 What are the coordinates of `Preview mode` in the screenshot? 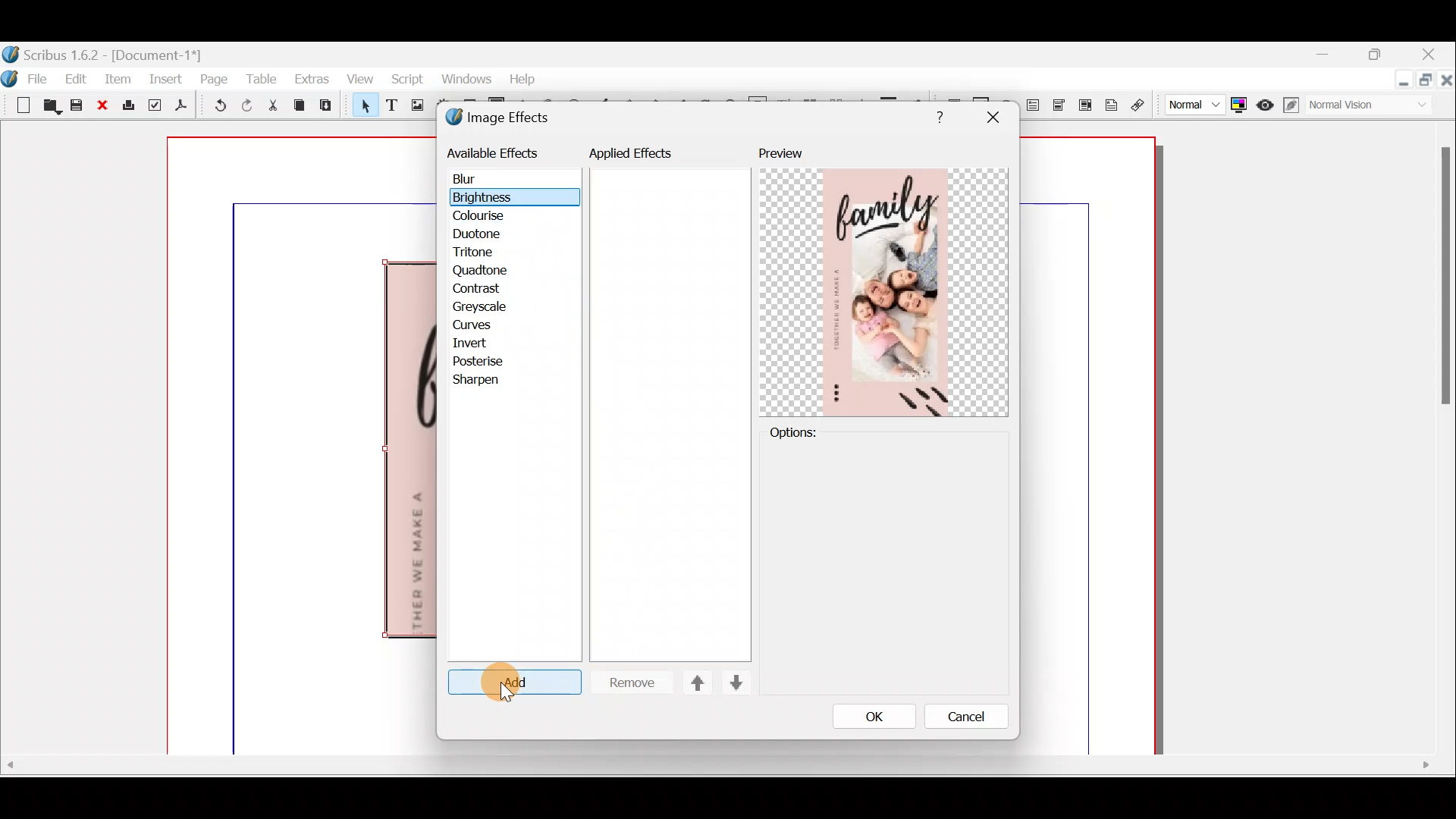 It's located at (1266, 102).